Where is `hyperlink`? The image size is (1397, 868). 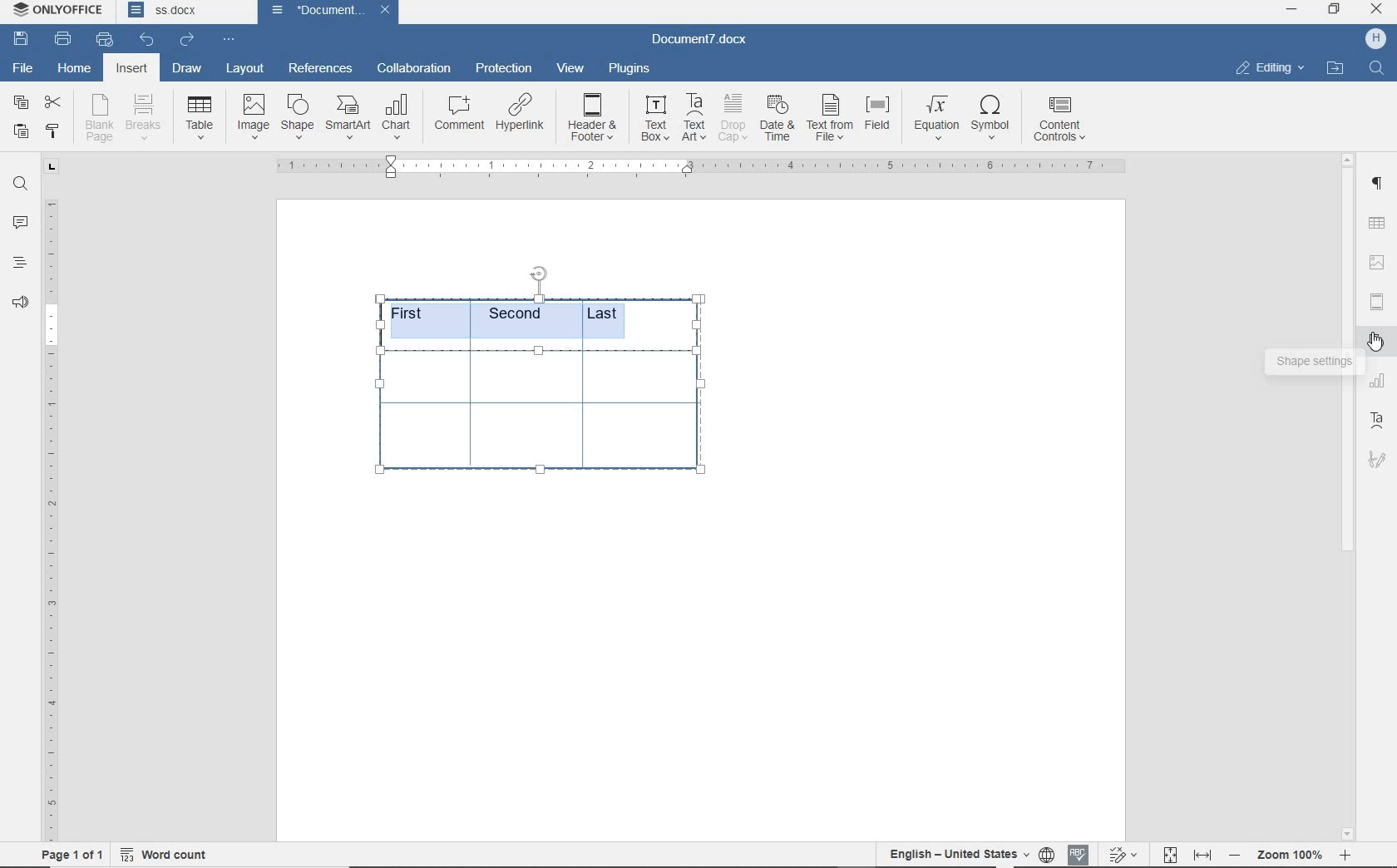
hyperlink is located at coordinates (522, 116).